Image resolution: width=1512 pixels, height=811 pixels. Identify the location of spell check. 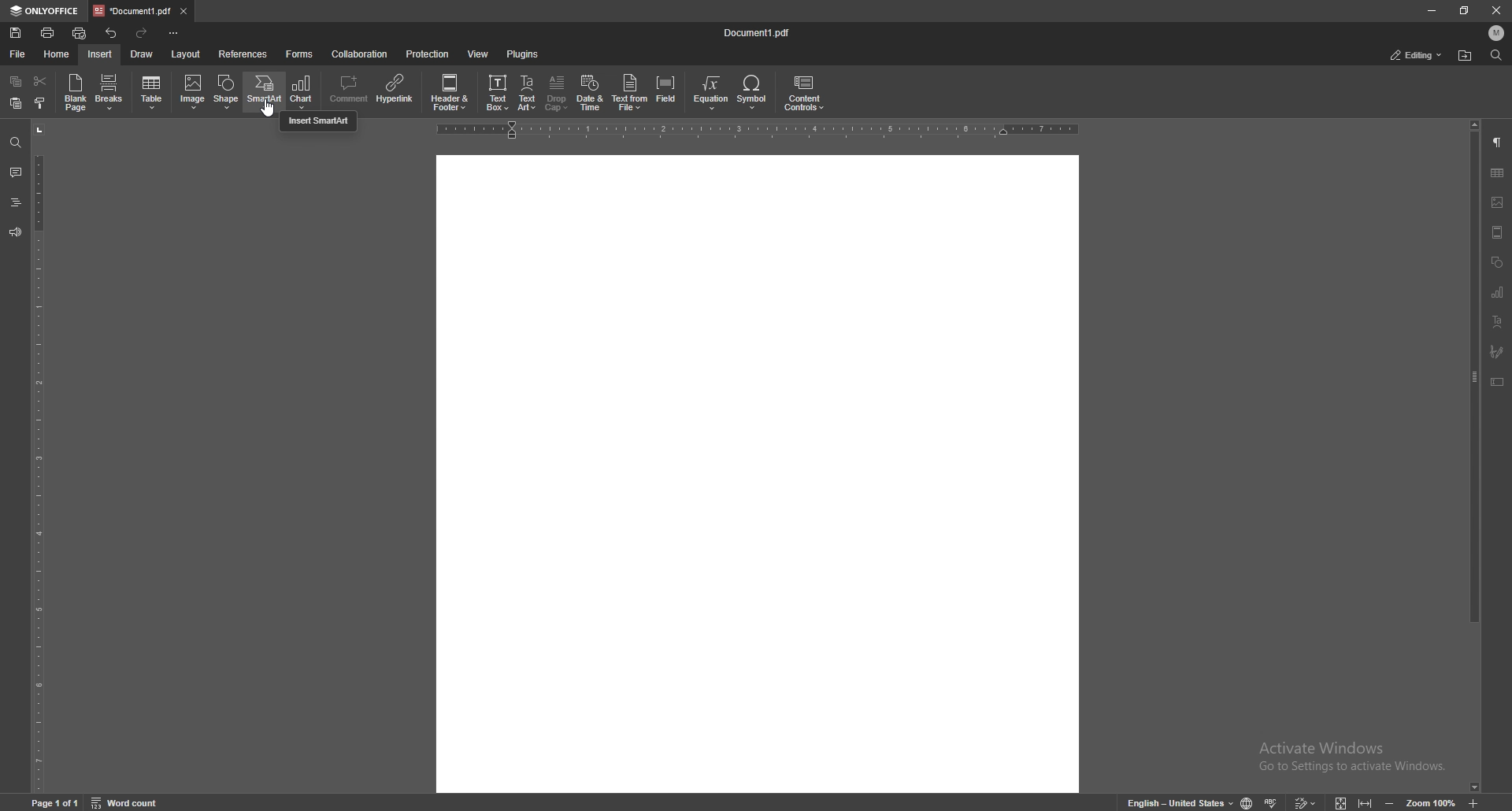
(1272, 802).